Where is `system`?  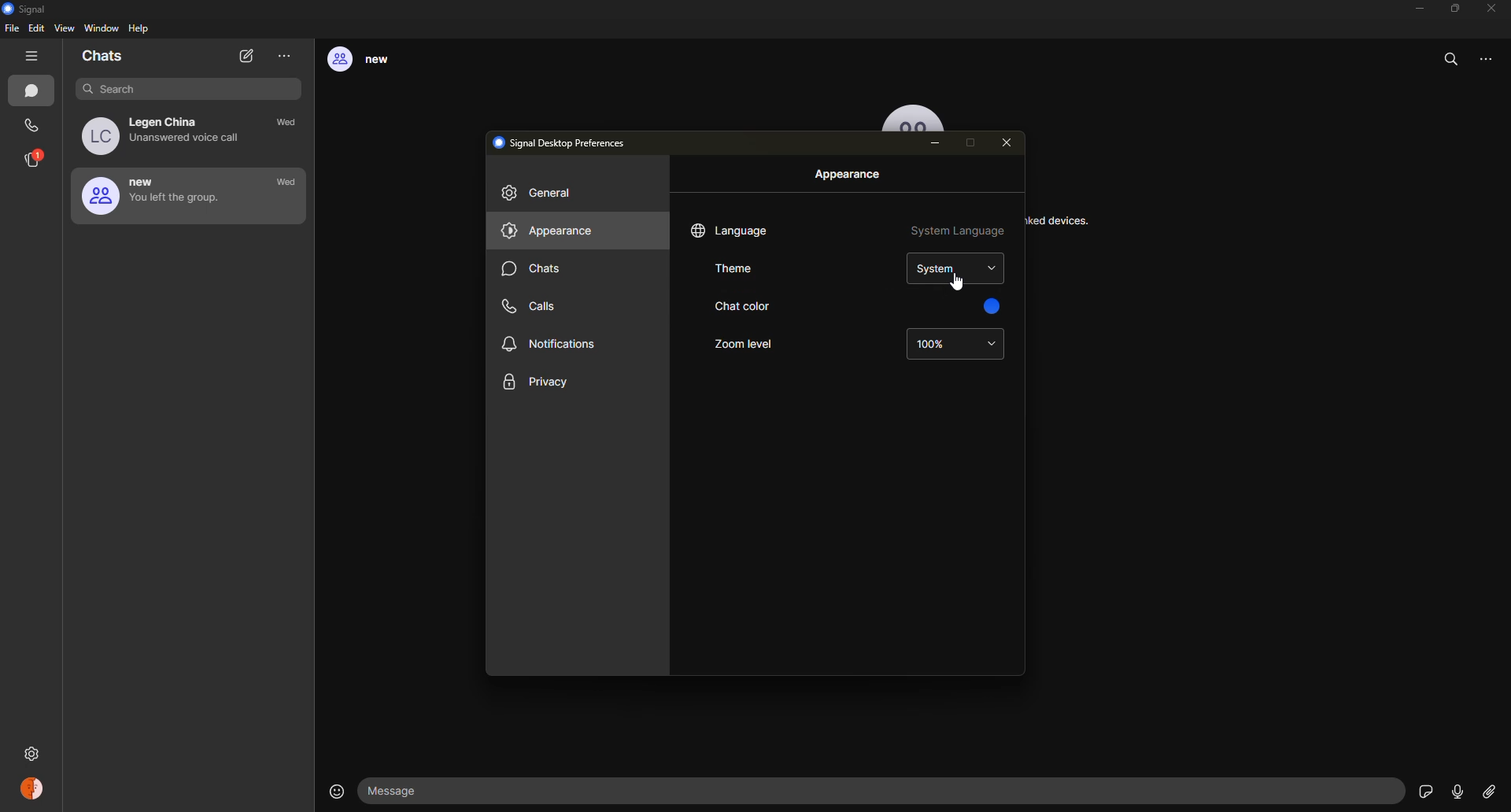
system is located at coordinates (956, 271).